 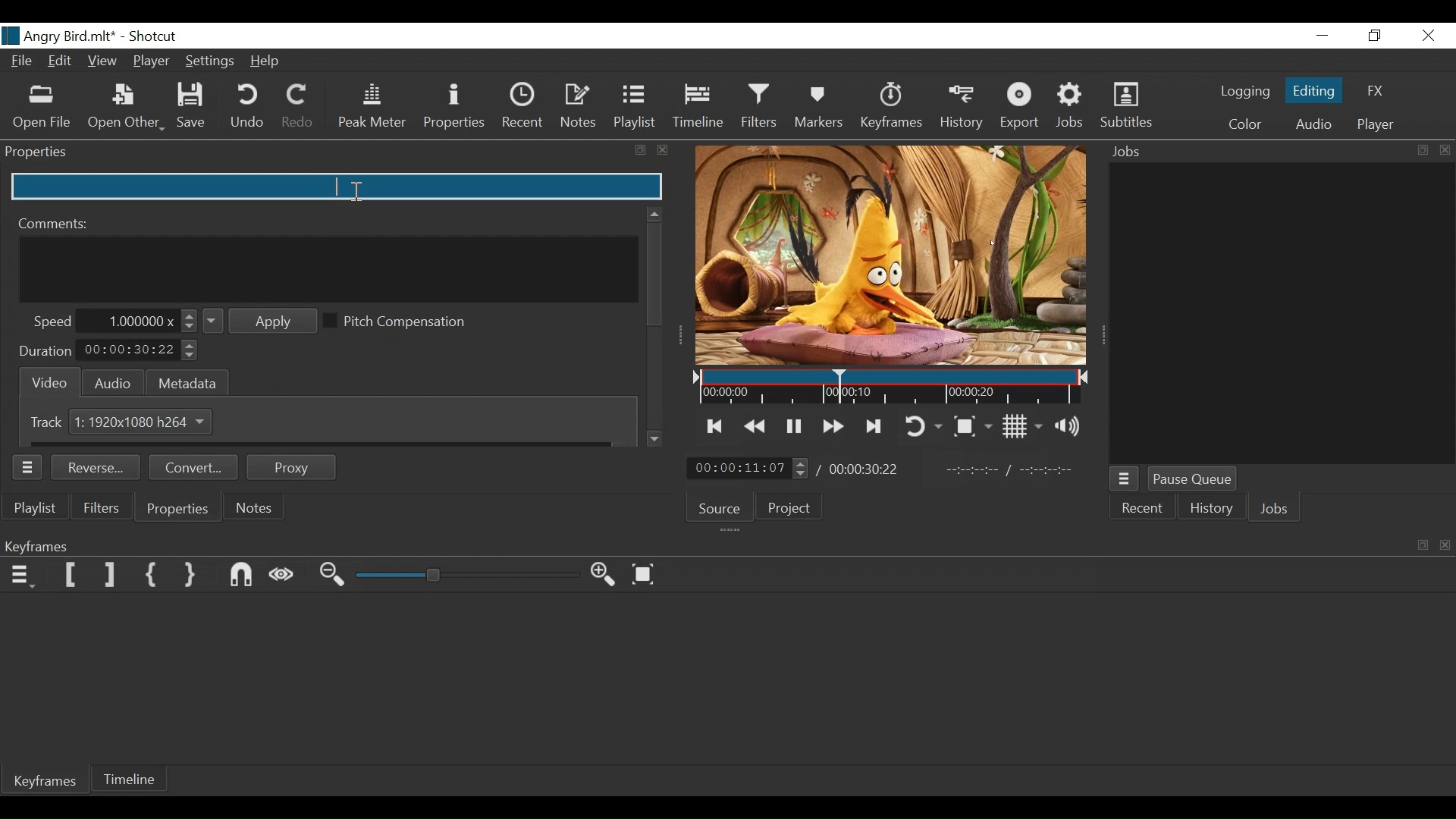 I want to click on Properties menu, so click(x=30, y=467).